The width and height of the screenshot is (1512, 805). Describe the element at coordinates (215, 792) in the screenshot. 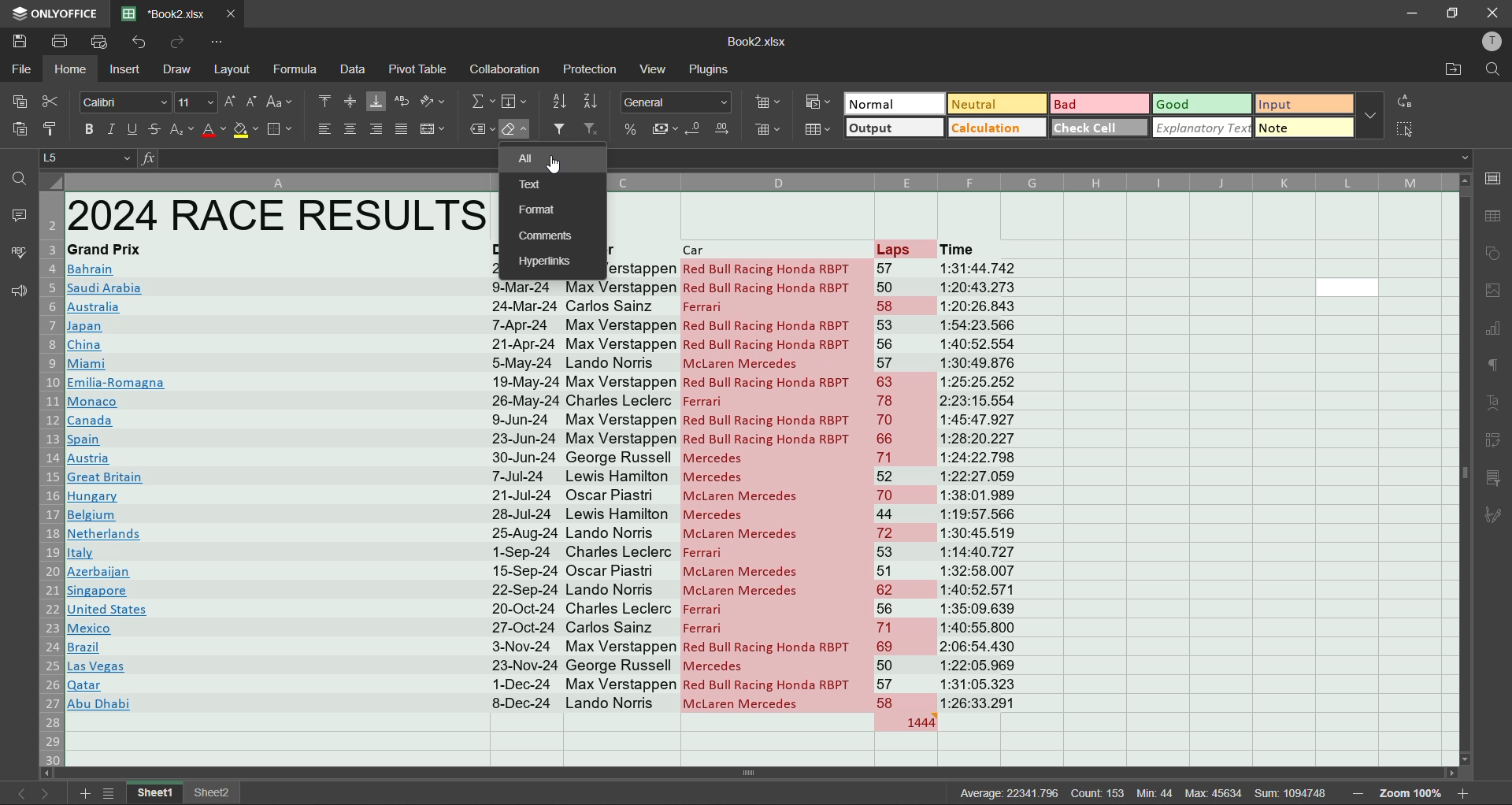

I see `sheet 2` at that location.